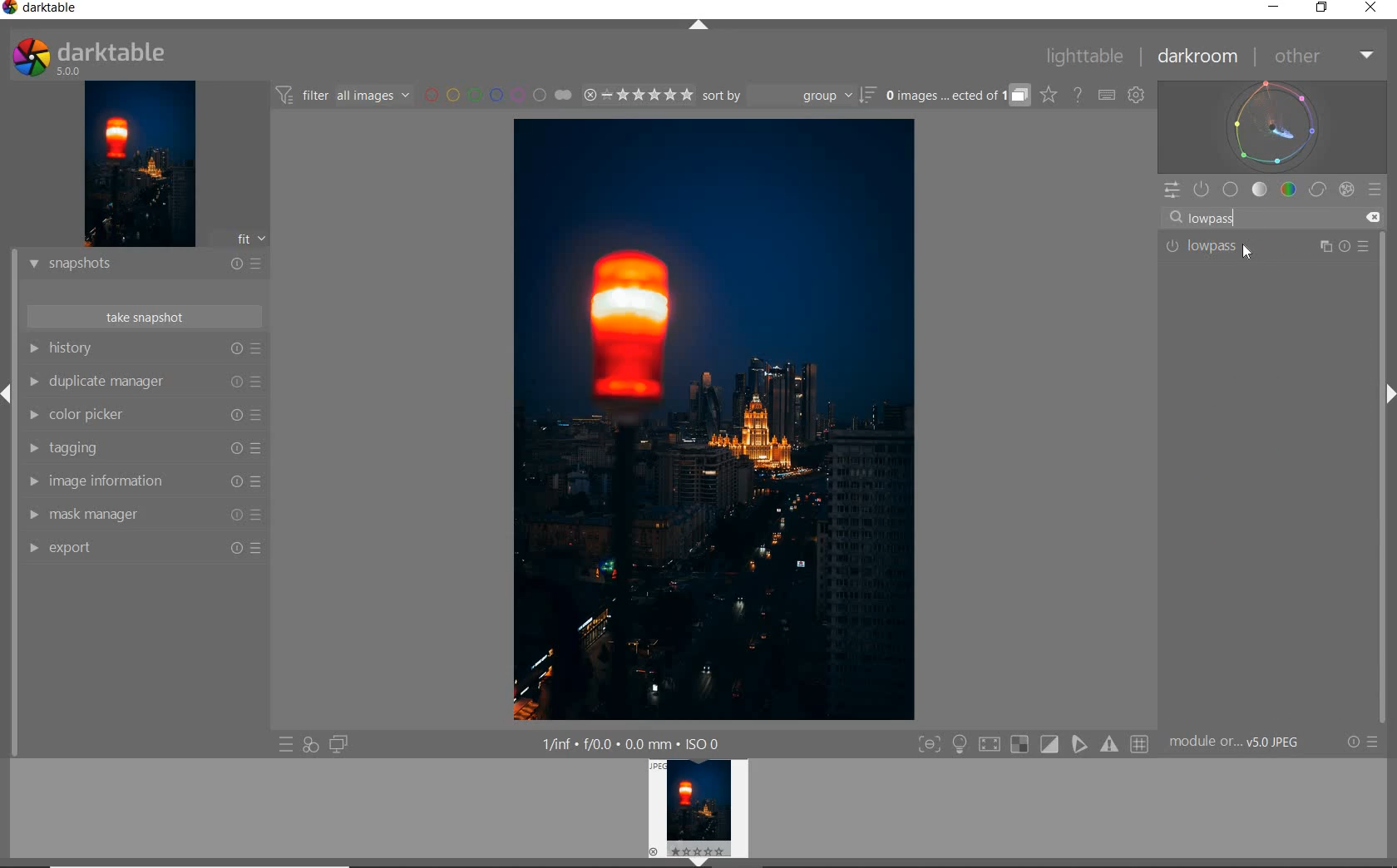  I want to click on RANGE RATING OF SELECTED IMAGES, so click(635, 96).